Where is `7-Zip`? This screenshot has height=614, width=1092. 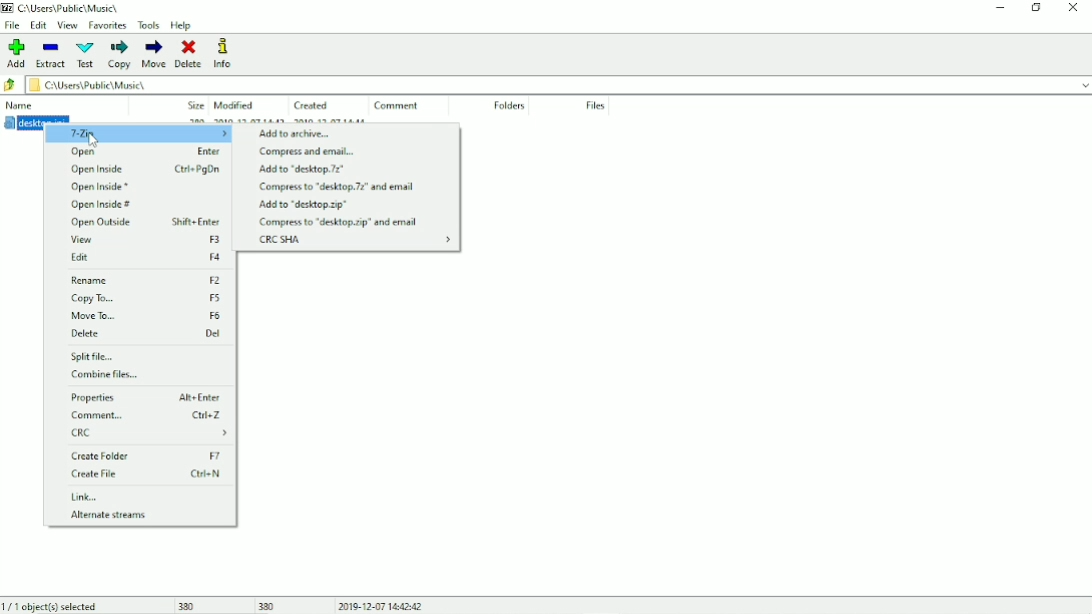 7-Zip is located at coordinates (138, 137).